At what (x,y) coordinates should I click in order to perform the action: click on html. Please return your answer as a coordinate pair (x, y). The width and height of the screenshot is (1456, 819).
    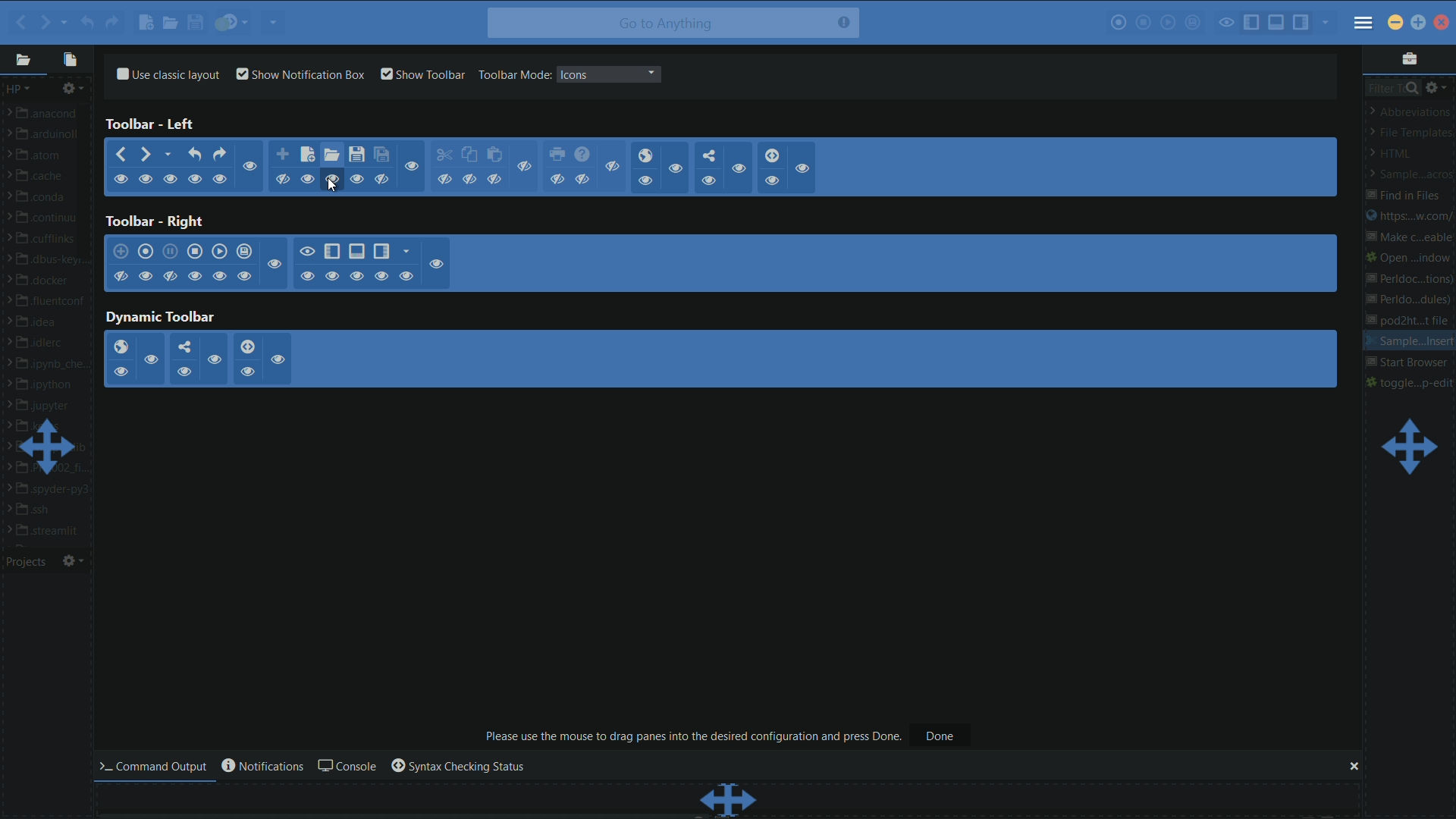
    Looking at the image, I should click on (1396, 154).